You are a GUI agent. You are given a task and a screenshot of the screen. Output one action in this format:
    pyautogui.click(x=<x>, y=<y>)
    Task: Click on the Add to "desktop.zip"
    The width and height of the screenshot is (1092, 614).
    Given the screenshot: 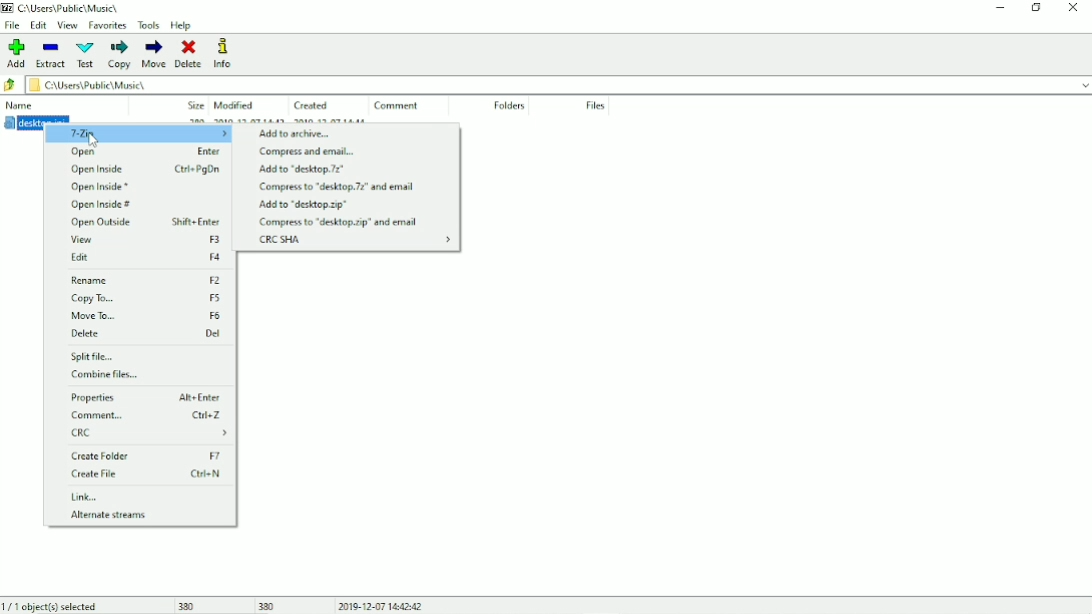 What is the action you would take?
    pyautogui.click(x=306, y=205)
    